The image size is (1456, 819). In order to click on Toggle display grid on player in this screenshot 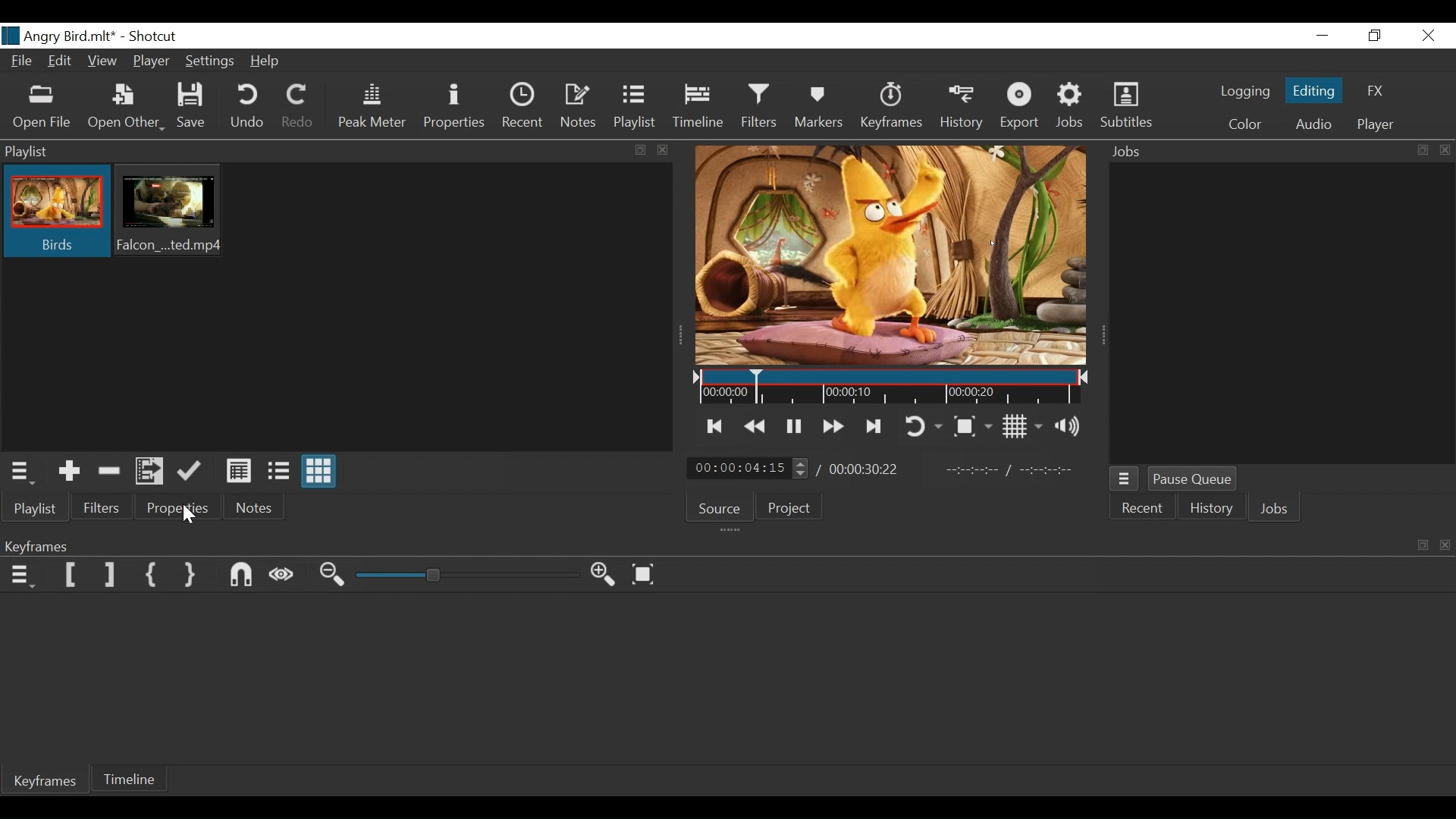, I will do `click(1025, 426)`.